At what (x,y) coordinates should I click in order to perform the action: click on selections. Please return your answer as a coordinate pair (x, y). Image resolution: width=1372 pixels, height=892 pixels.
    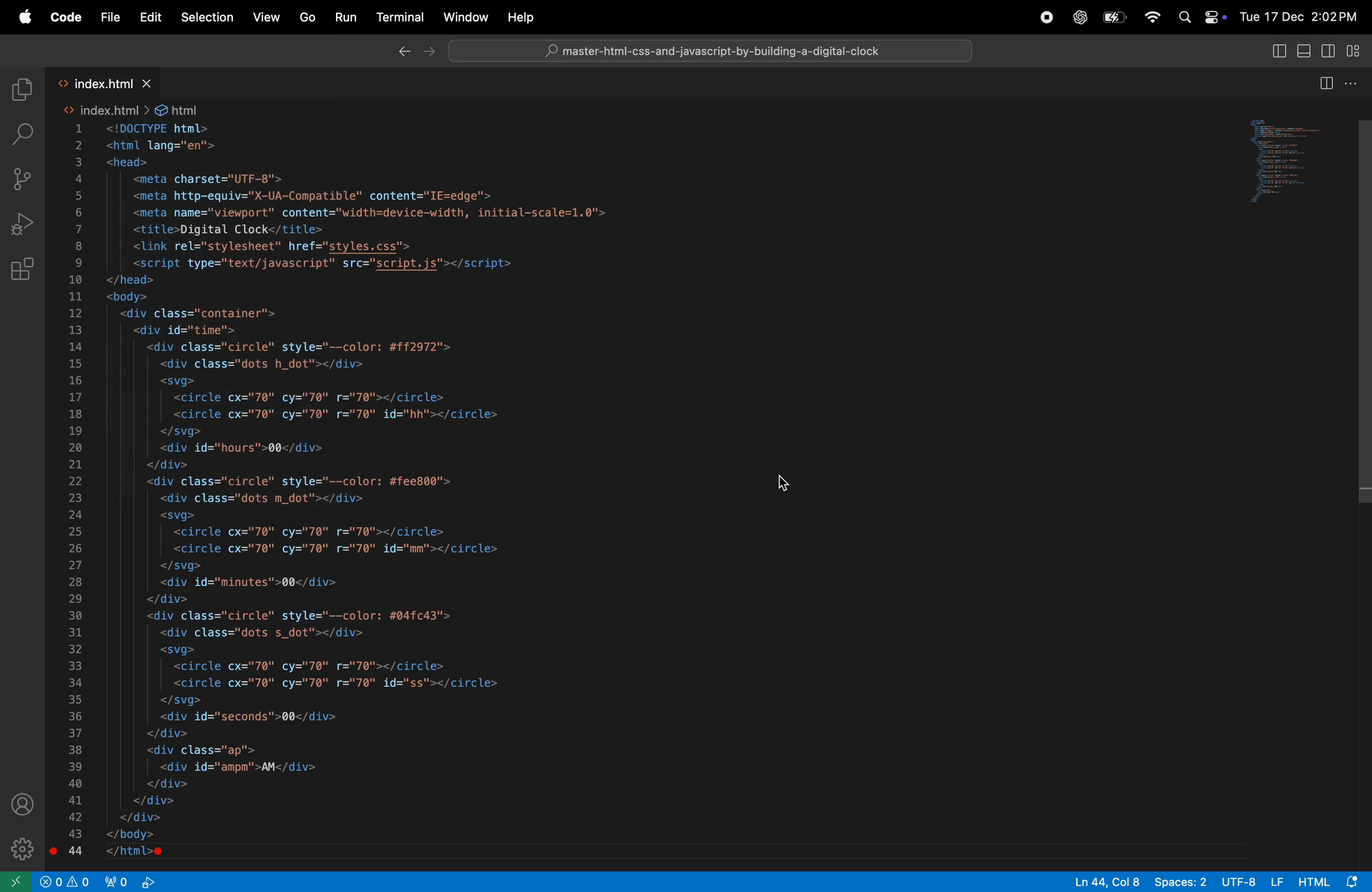
    Looking at the image, I should click on (209, 18).